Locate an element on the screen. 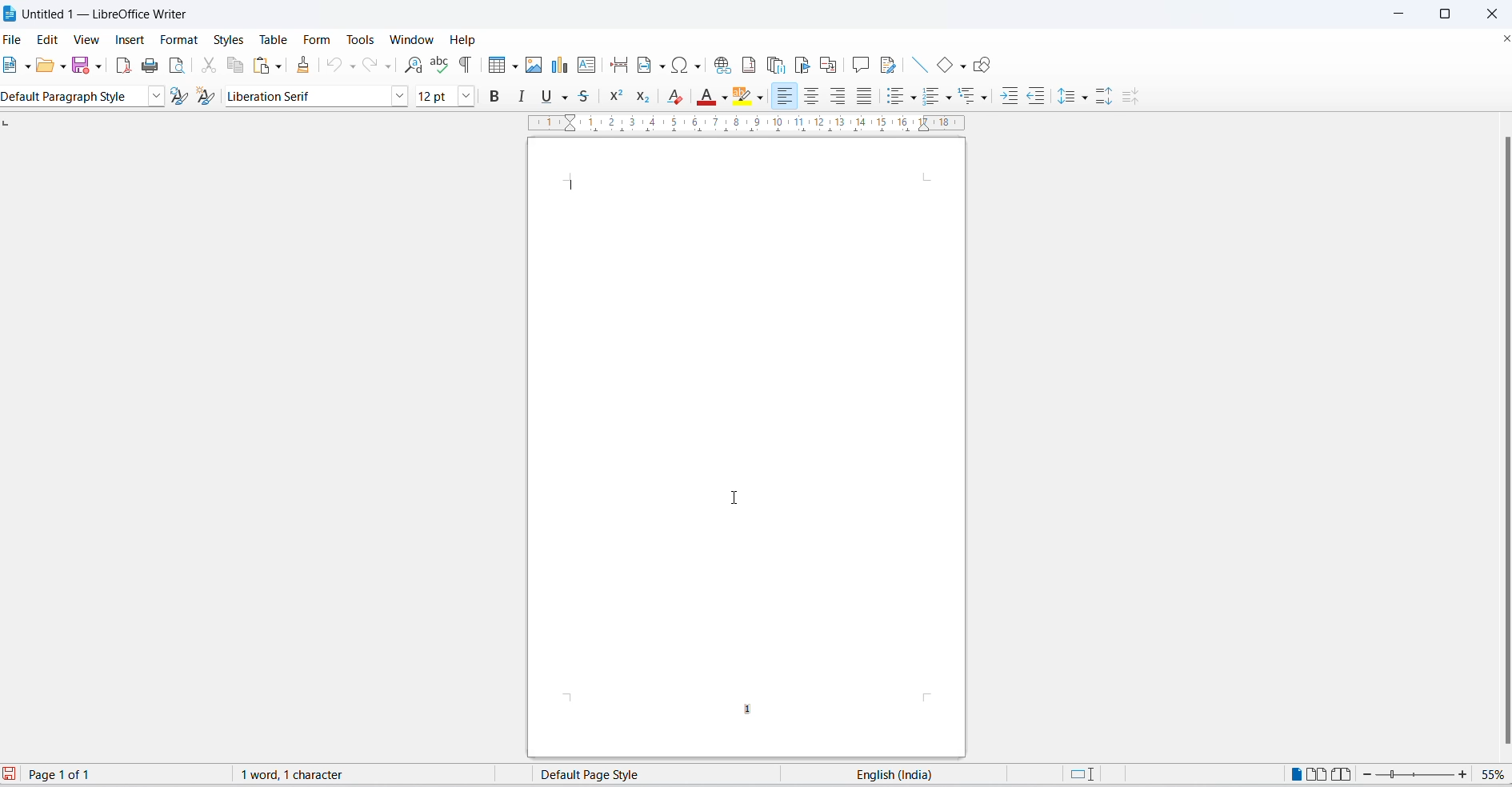  update selected style is located at coordinates (184, 97).